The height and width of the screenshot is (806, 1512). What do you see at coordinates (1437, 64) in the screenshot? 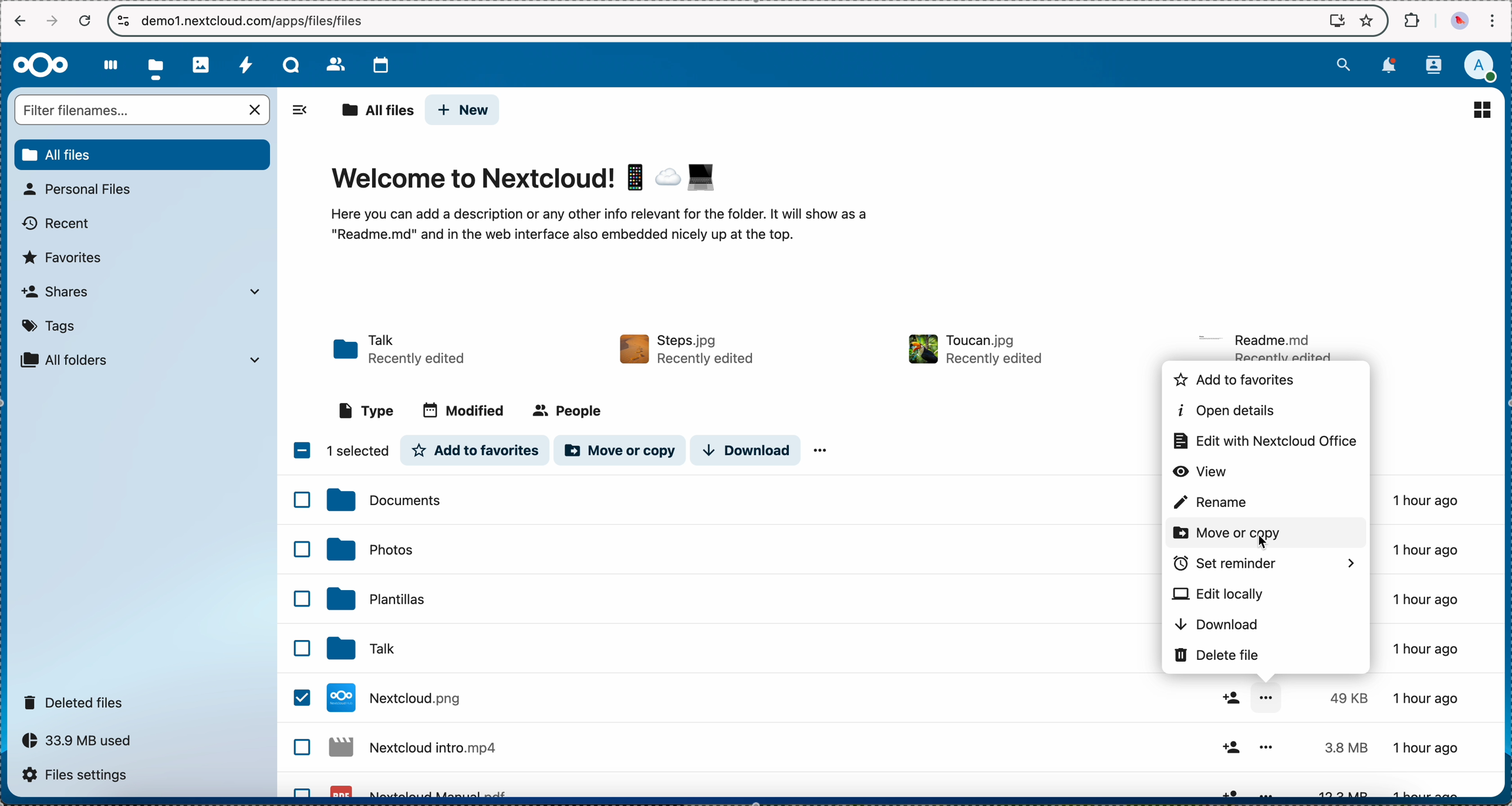
I see `contacts` at bounding box center [1437, 64].